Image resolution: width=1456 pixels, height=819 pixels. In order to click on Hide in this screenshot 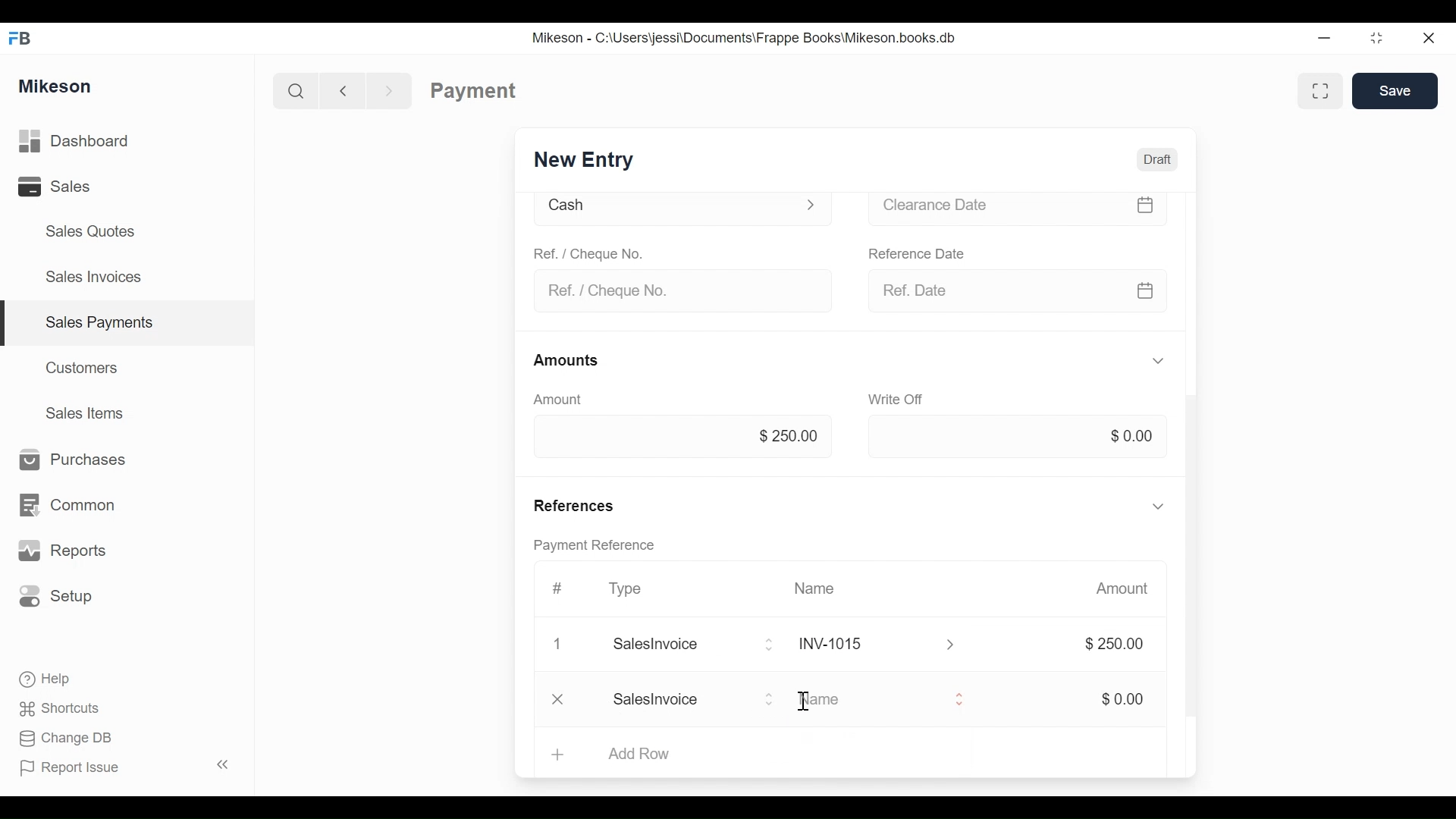, I will do `click(1159, 504)`.